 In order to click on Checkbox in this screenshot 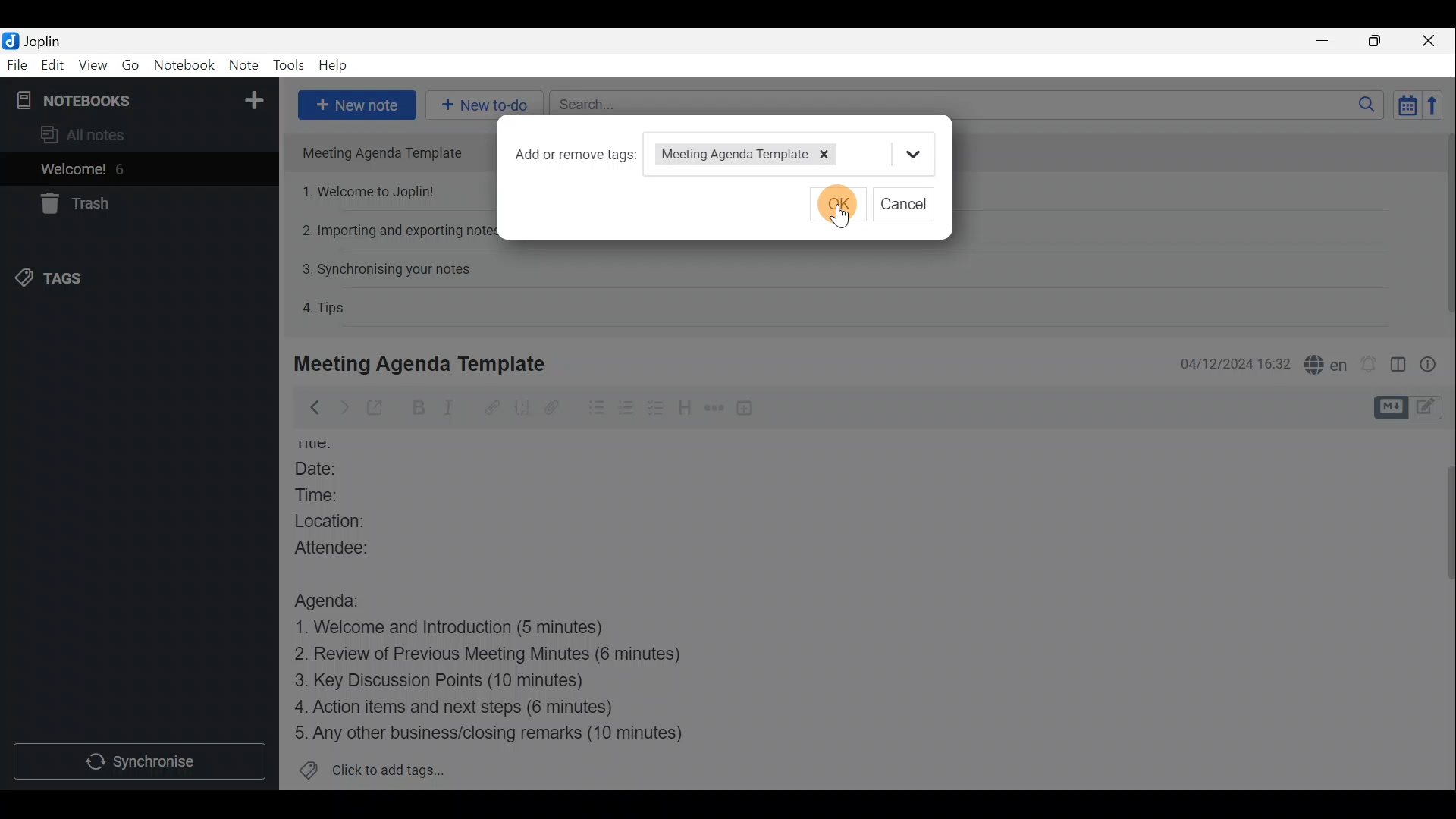, I will do `click(653, 409)`.